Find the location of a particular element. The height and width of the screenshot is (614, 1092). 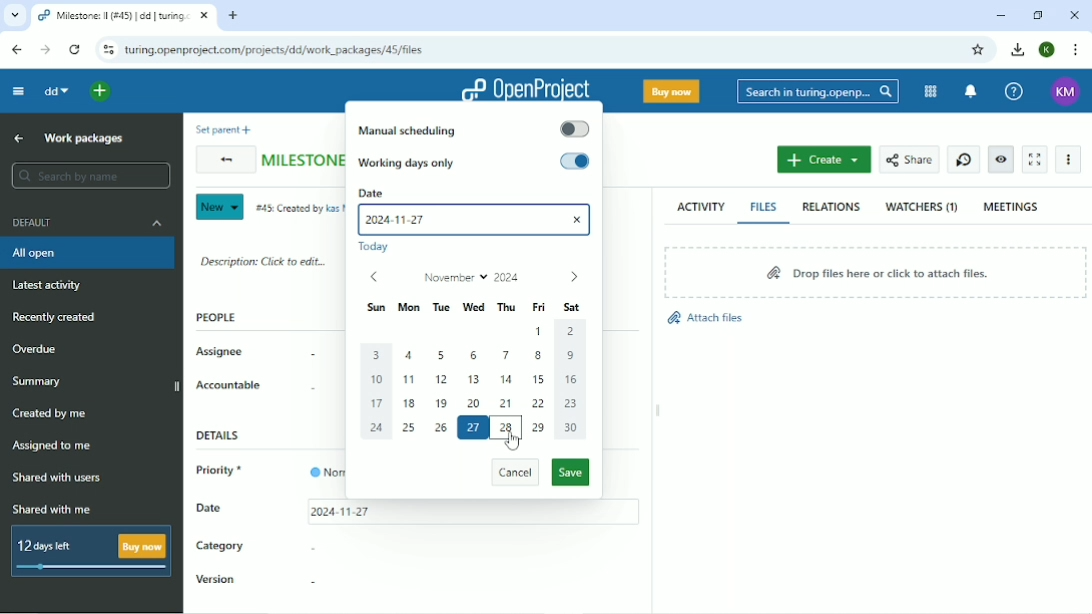

Created by me is located at coordinates (51, 414).